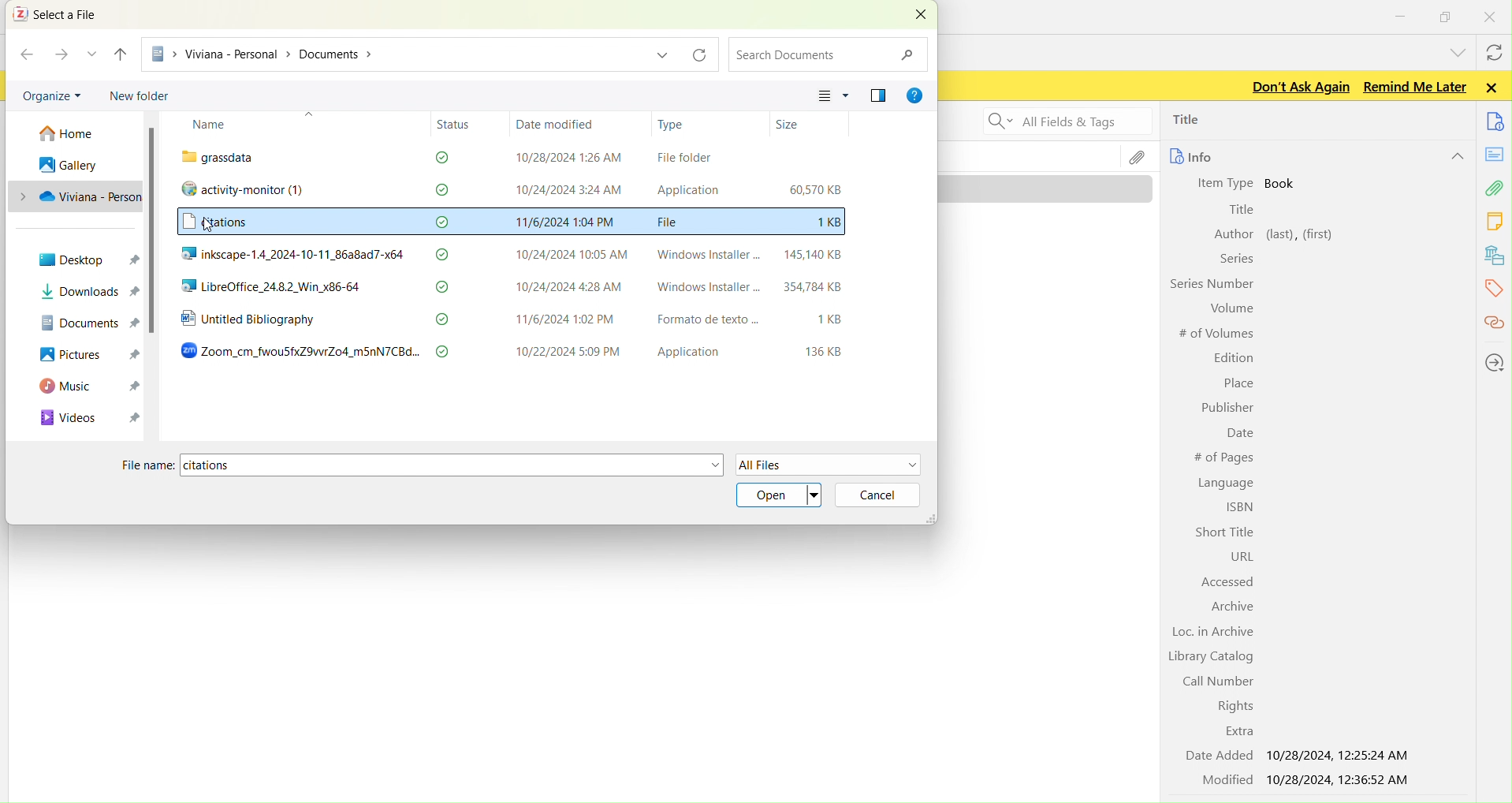  I want to click on documents, so click(1497, 121).